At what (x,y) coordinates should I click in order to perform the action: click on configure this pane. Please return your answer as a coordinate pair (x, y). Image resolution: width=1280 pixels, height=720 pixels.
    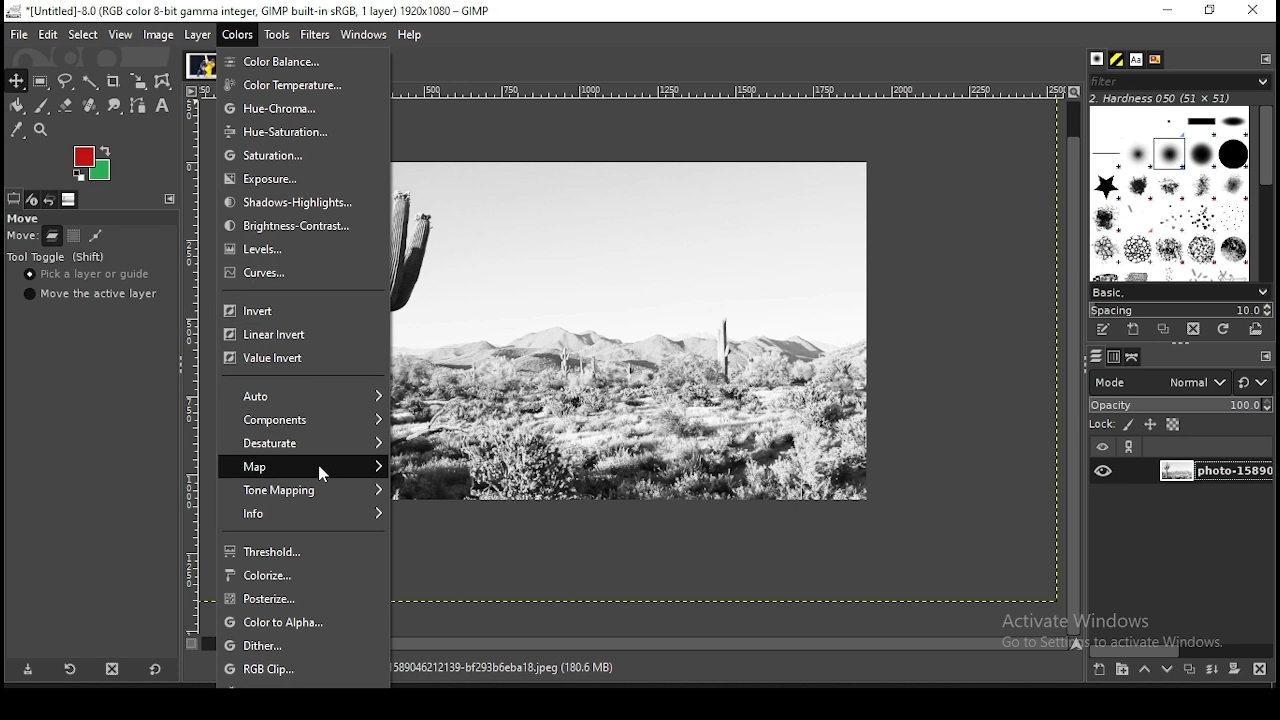
    Looking at the image, I should click on (1264, 58).